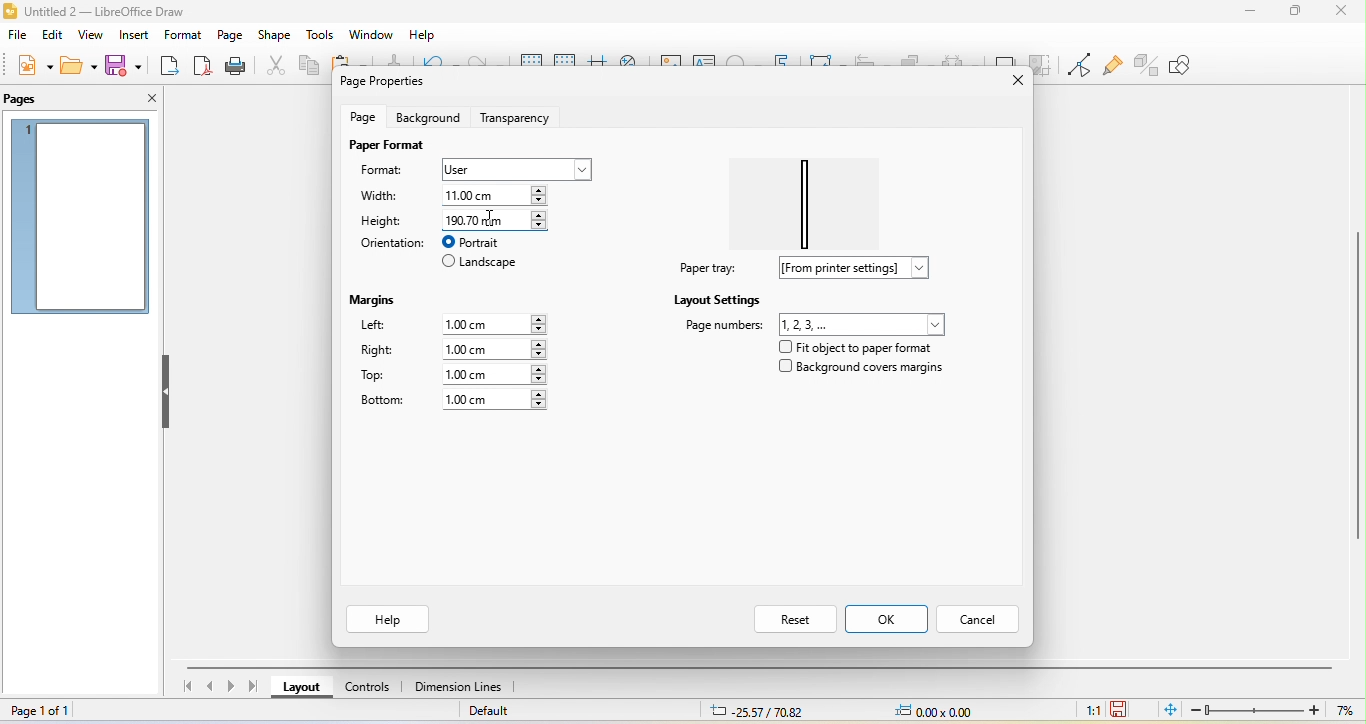 The height and width of the screenshot is (724, 1366). What do you see at coordinates (1195, 65) in the screenshot?
I see `show draw function` at bounding box center [1195, 65].